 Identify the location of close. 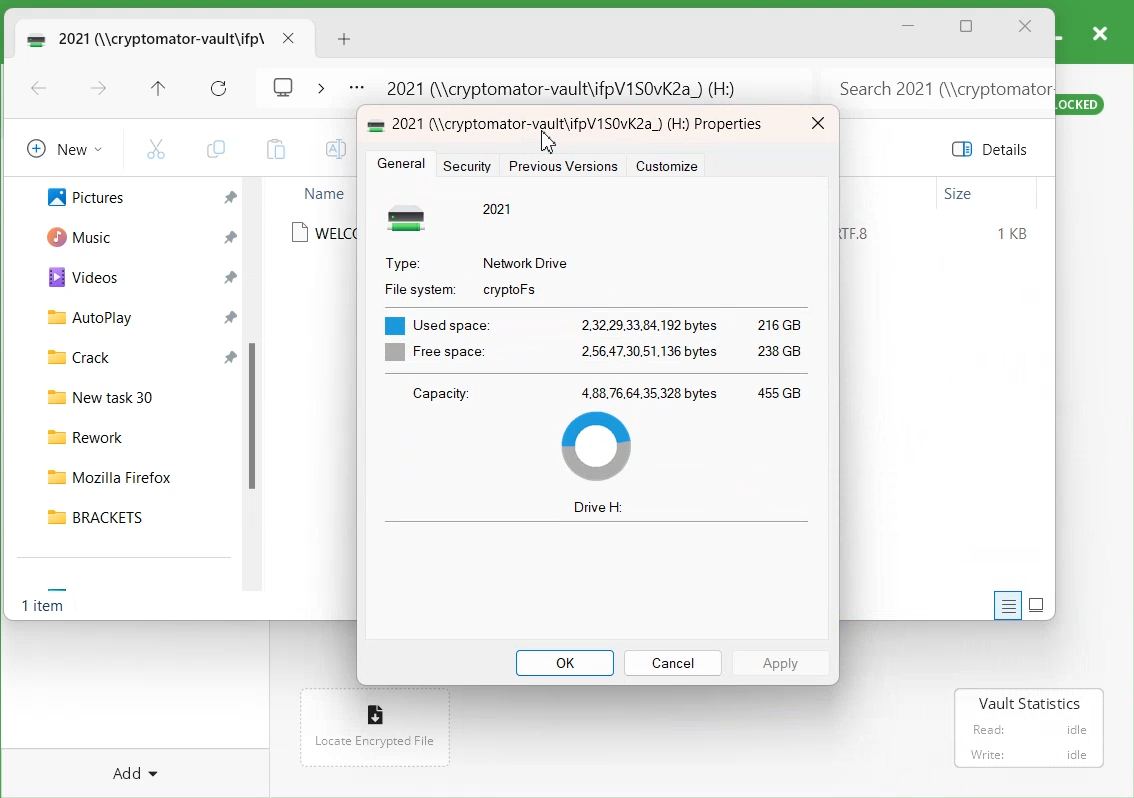
(1099, 32).